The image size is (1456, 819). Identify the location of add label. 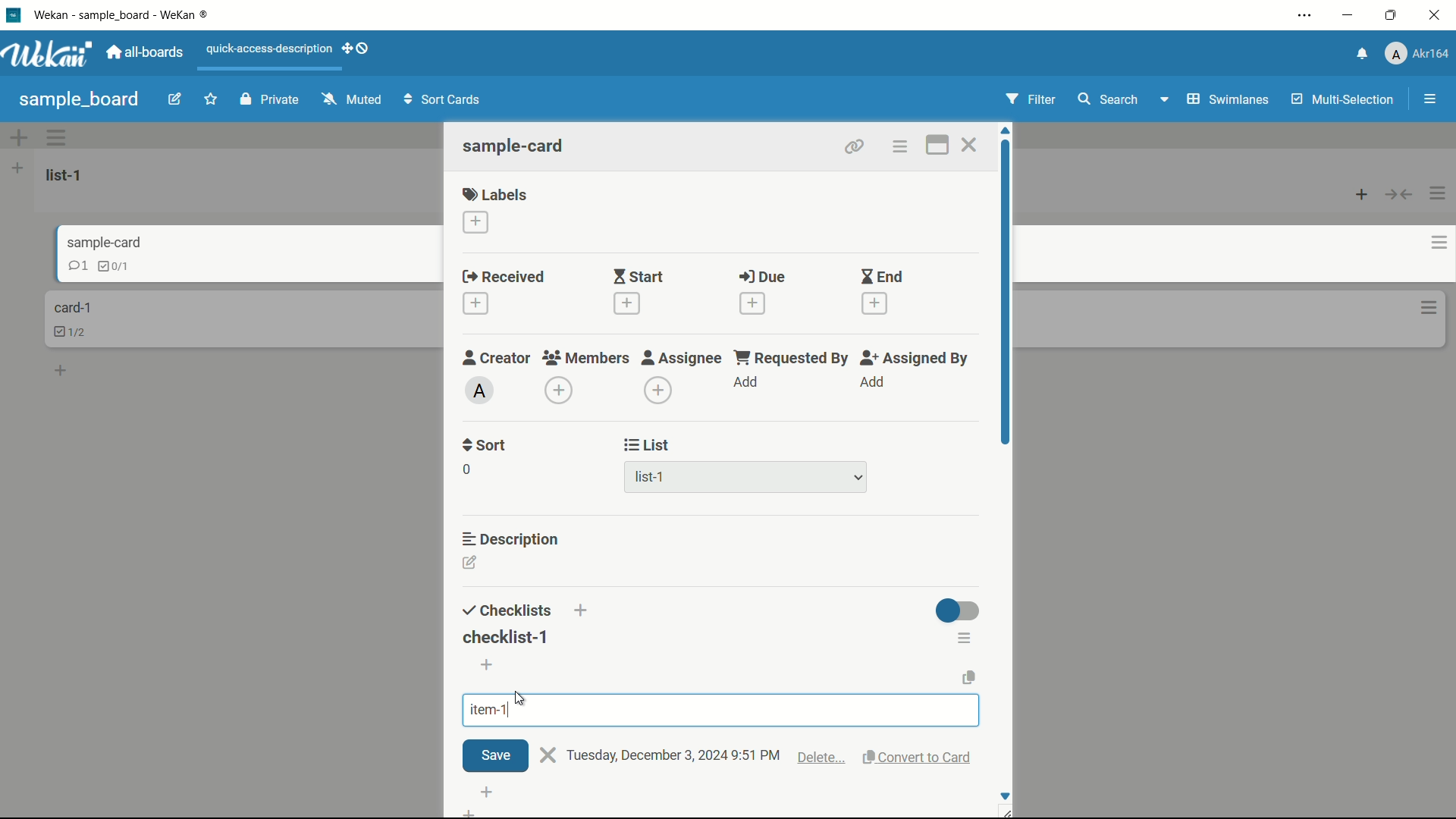
(476, 222).